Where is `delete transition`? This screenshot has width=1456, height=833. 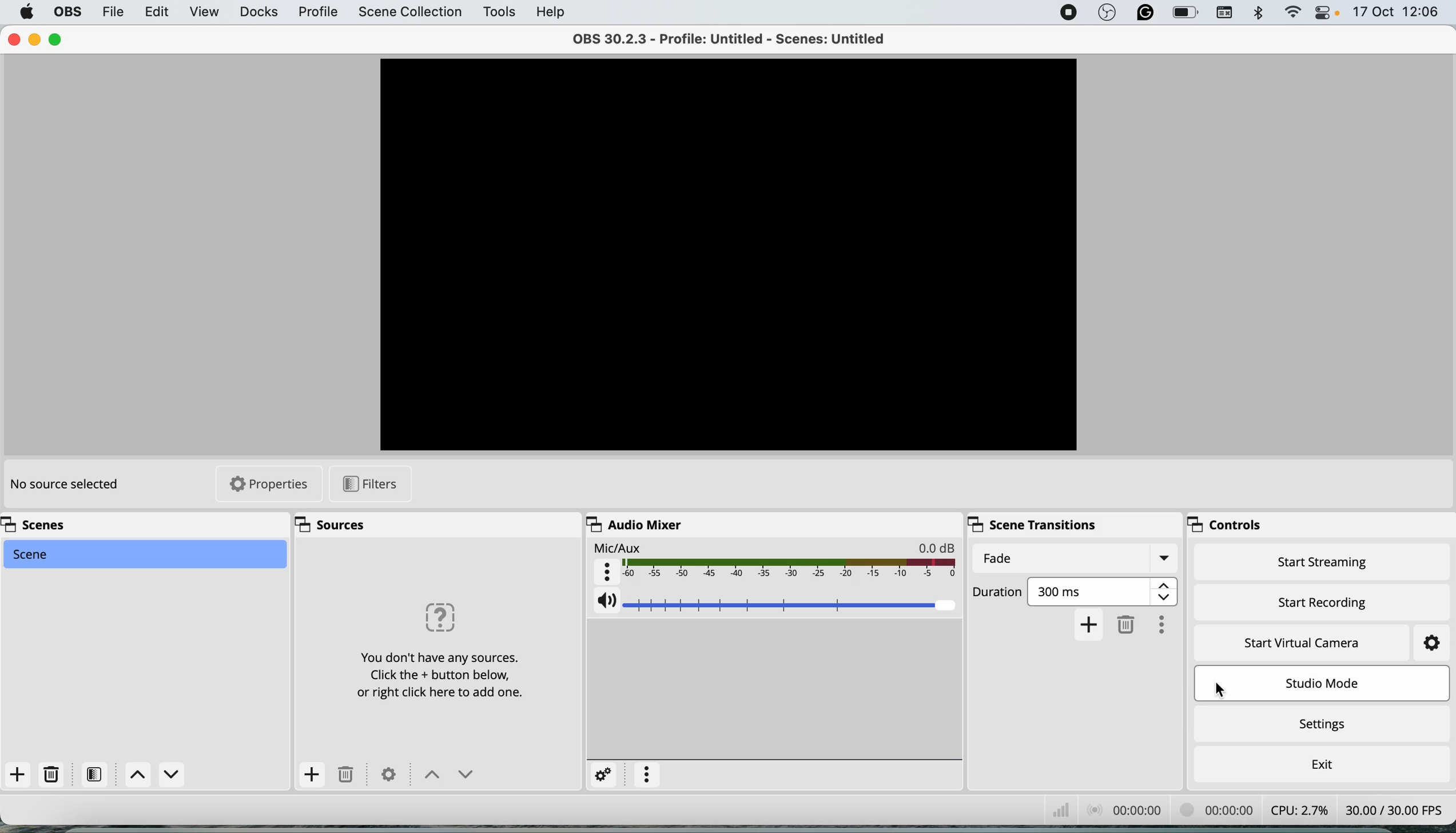
delete transition is located at coordinates (1127, 624).